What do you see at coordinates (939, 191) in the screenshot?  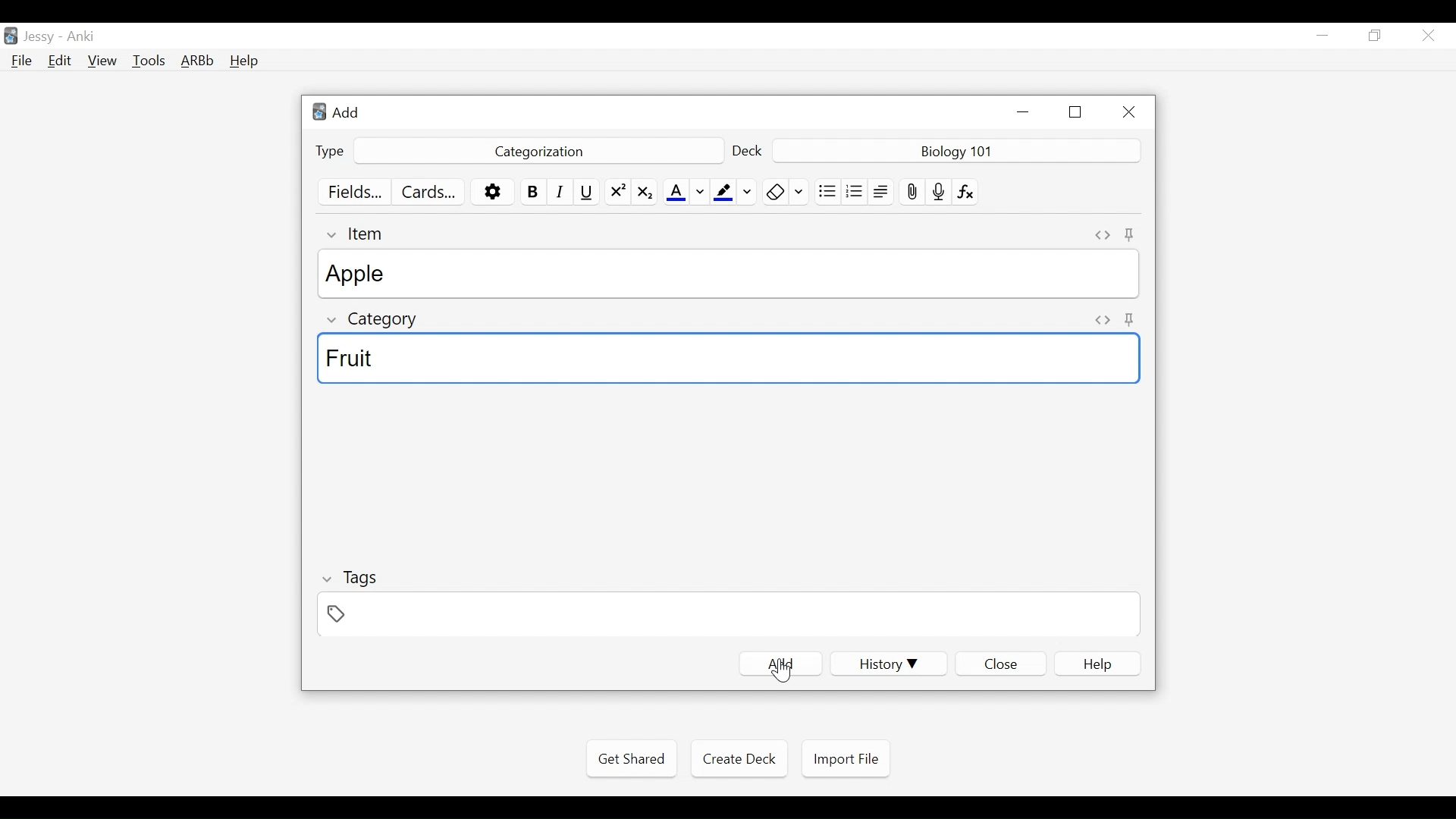 I see `Record audio` at bounding box center [939, 191].